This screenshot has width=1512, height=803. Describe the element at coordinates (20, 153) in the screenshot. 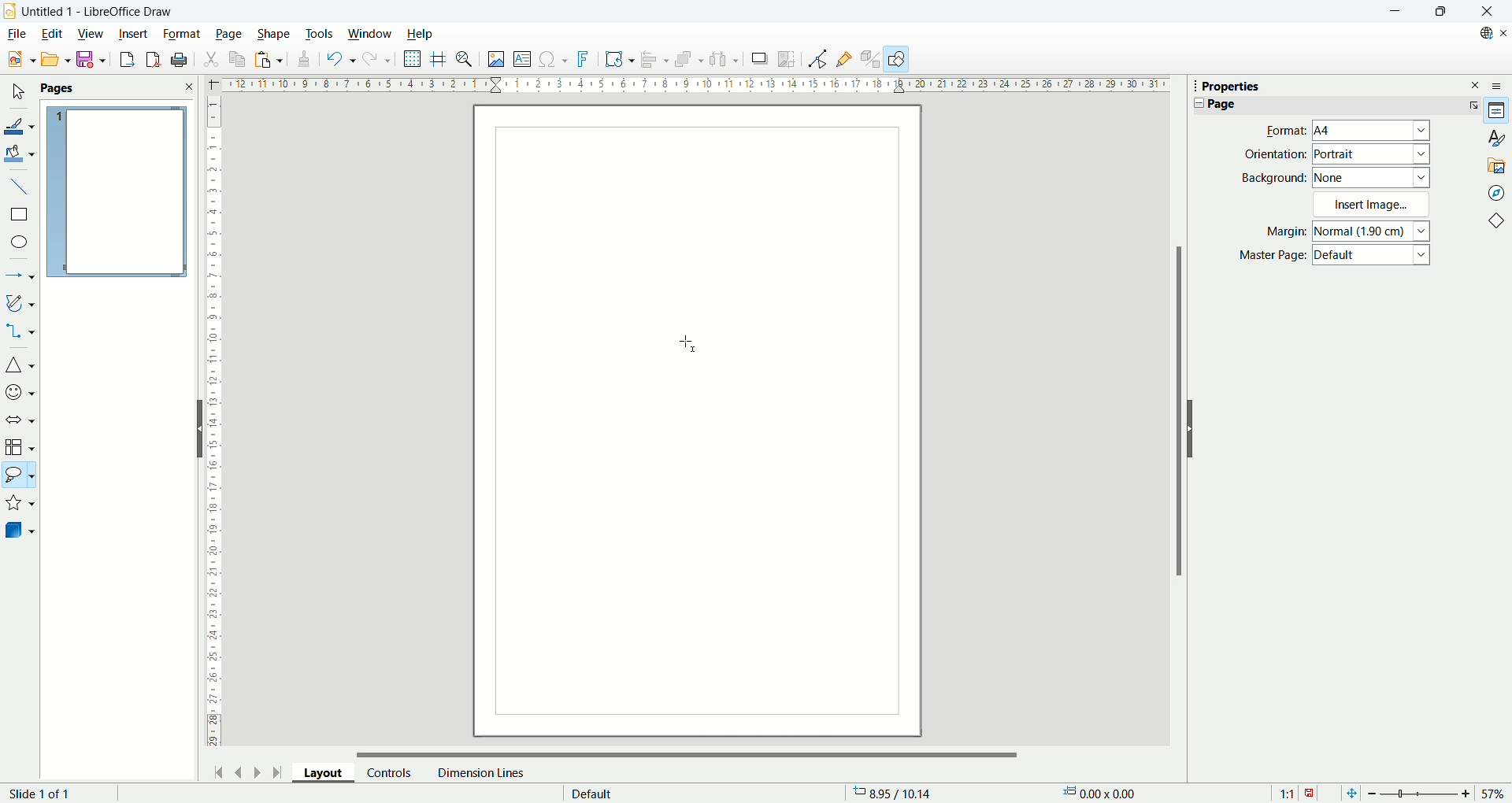

I see `fill color` at that location.